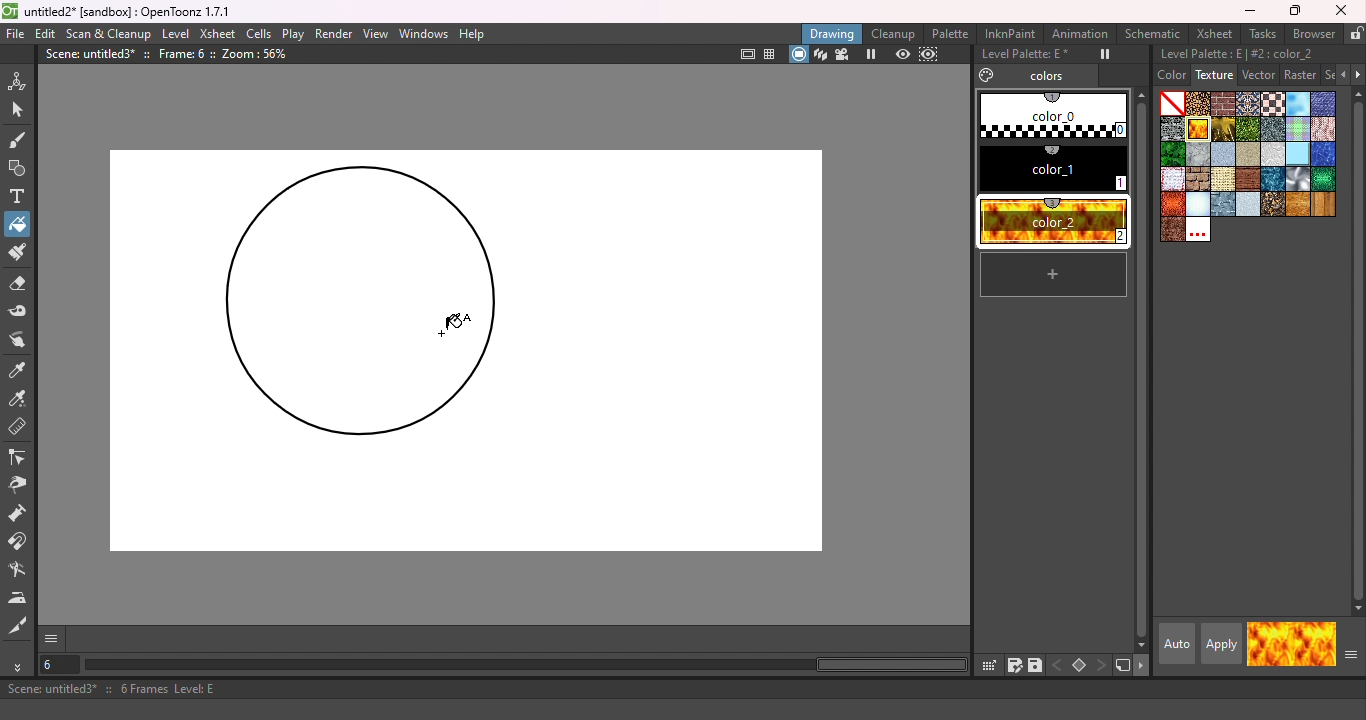  Describe the element at coordinates (872, 54) in the screenshot. I see `Freeze` at that location.